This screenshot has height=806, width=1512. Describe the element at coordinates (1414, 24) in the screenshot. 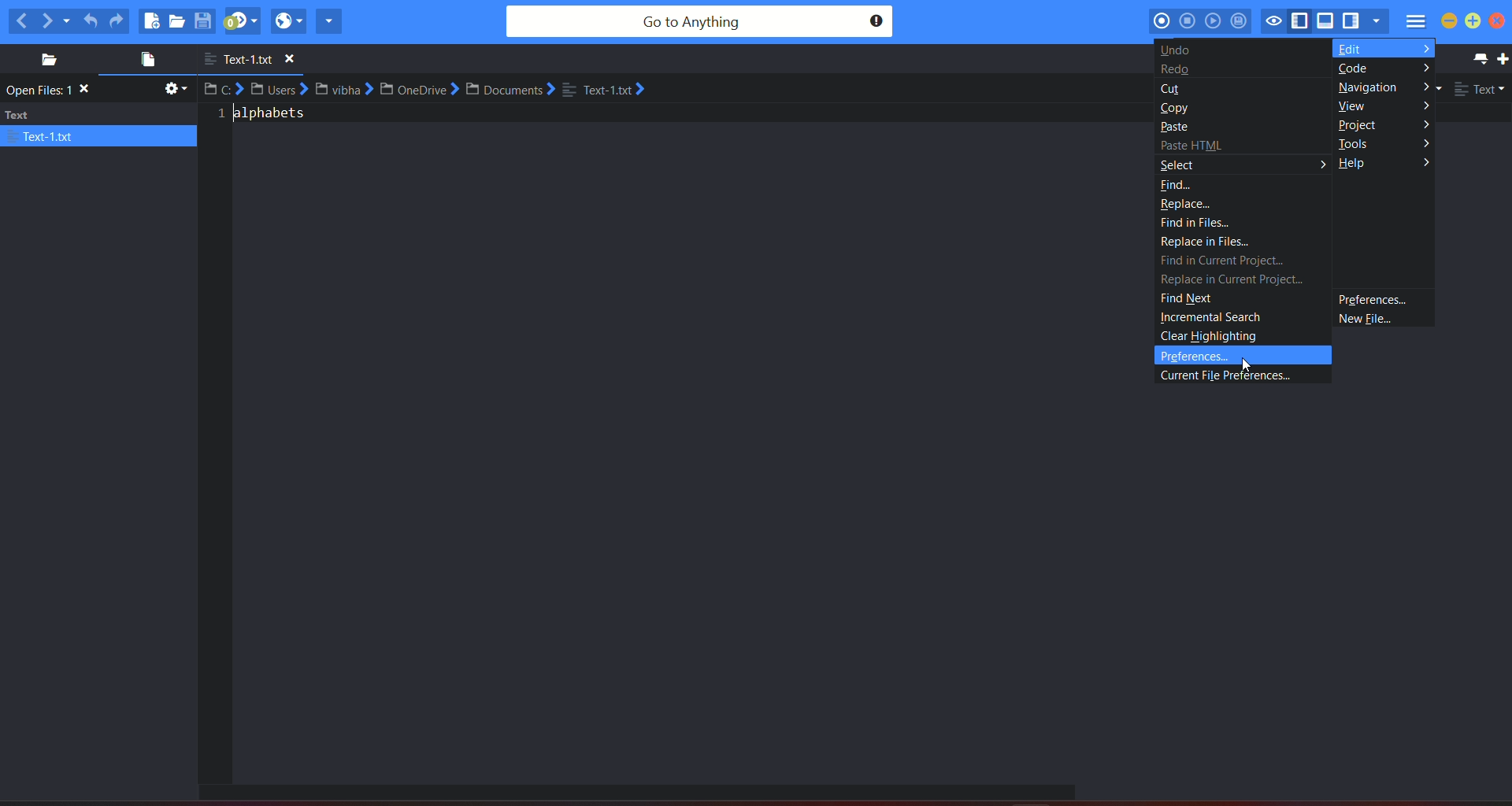

I see `menu` at that location.